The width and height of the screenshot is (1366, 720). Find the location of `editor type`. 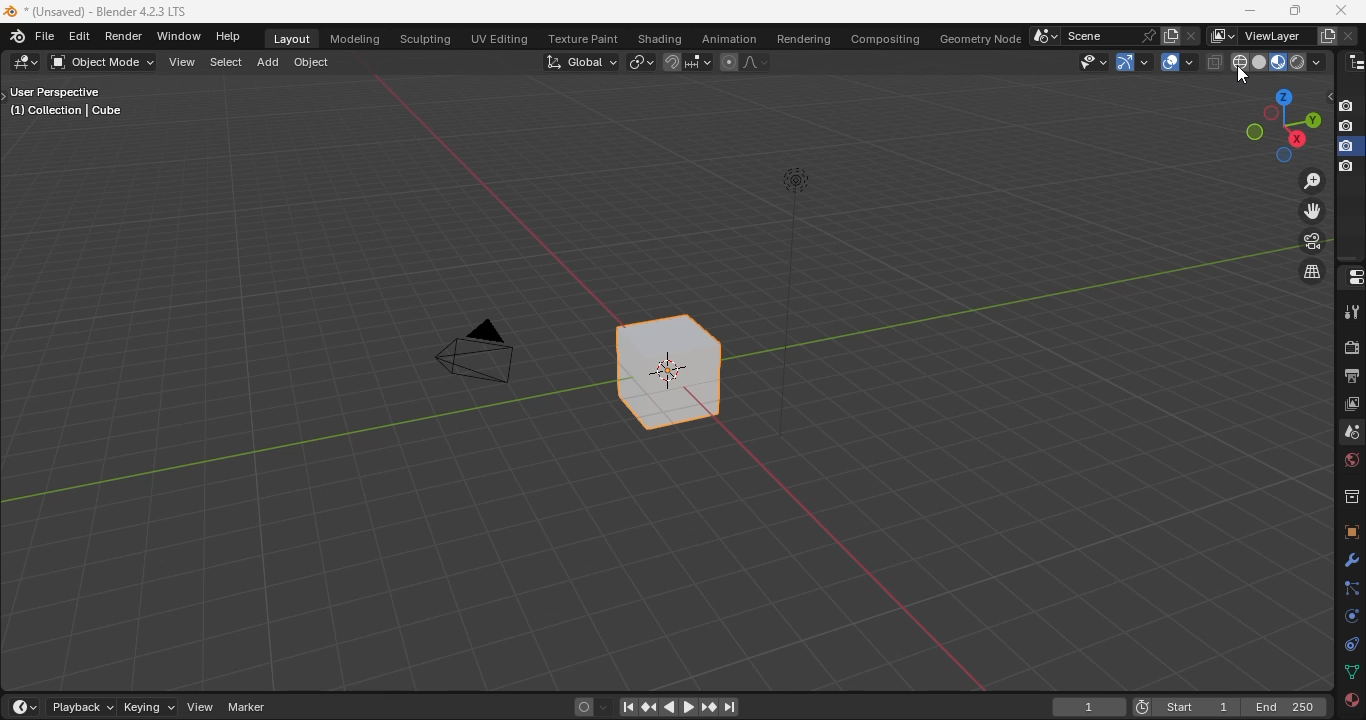

editor type is located at coordinates (1351, 62).